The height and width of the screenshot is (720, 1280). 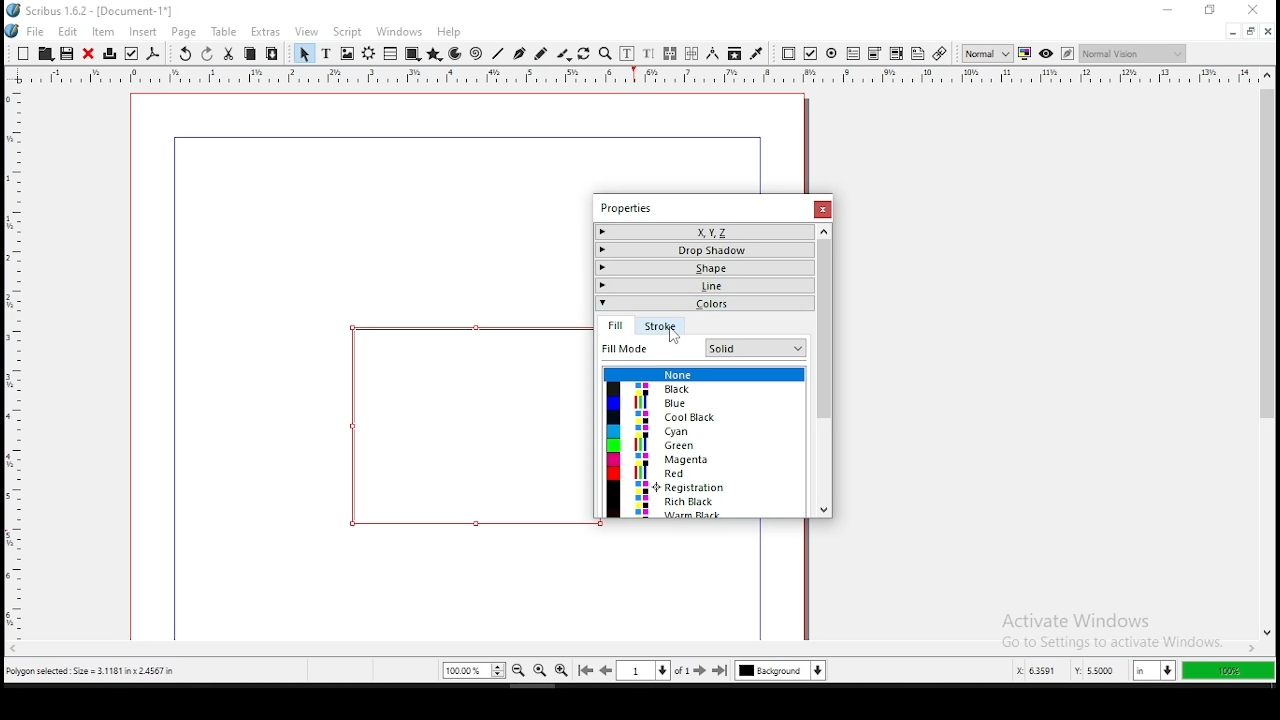 I want to click on render frame, so click(x=368, y=54).